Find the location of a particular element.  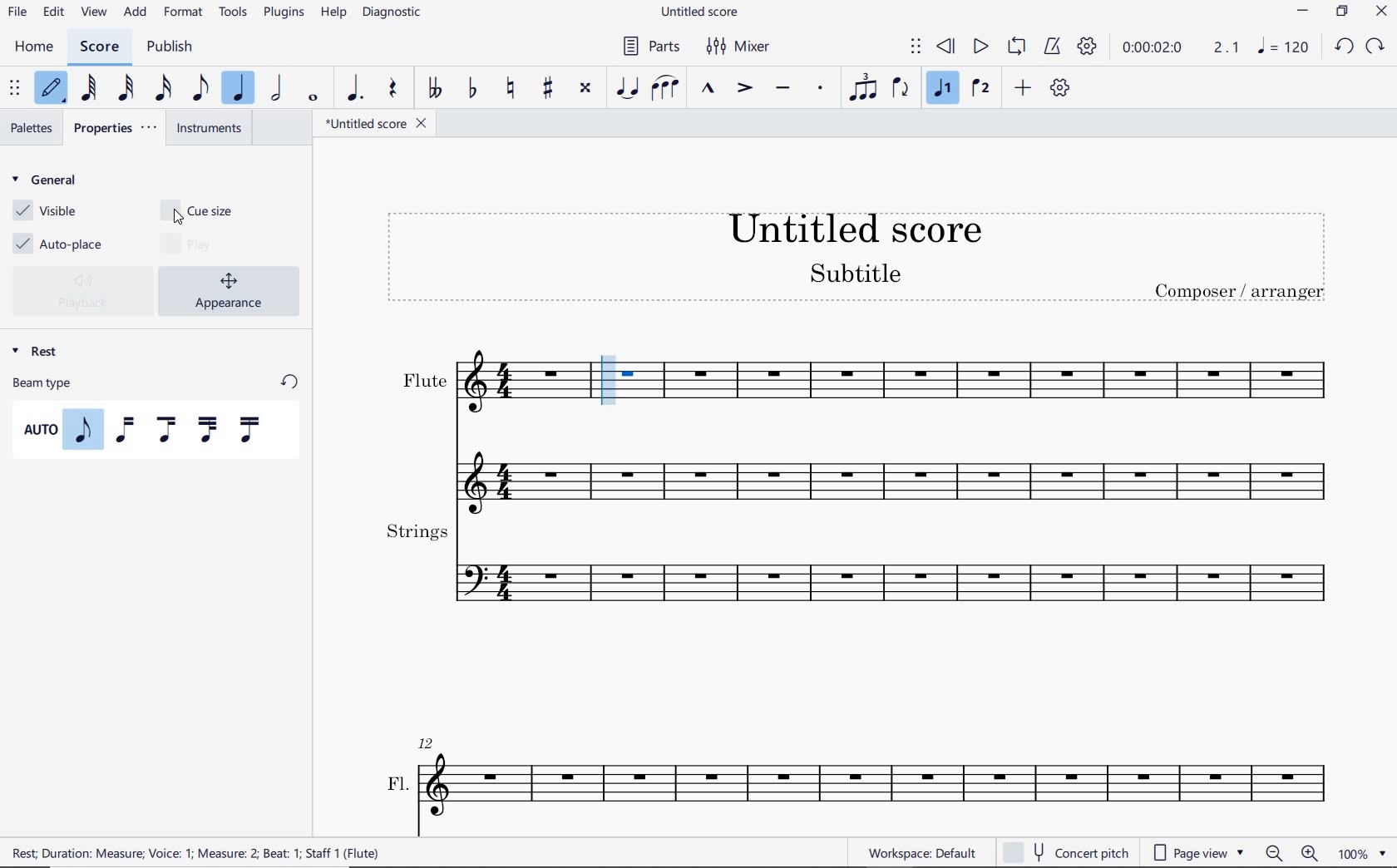

restore down is located at coordinates (1340, 13).